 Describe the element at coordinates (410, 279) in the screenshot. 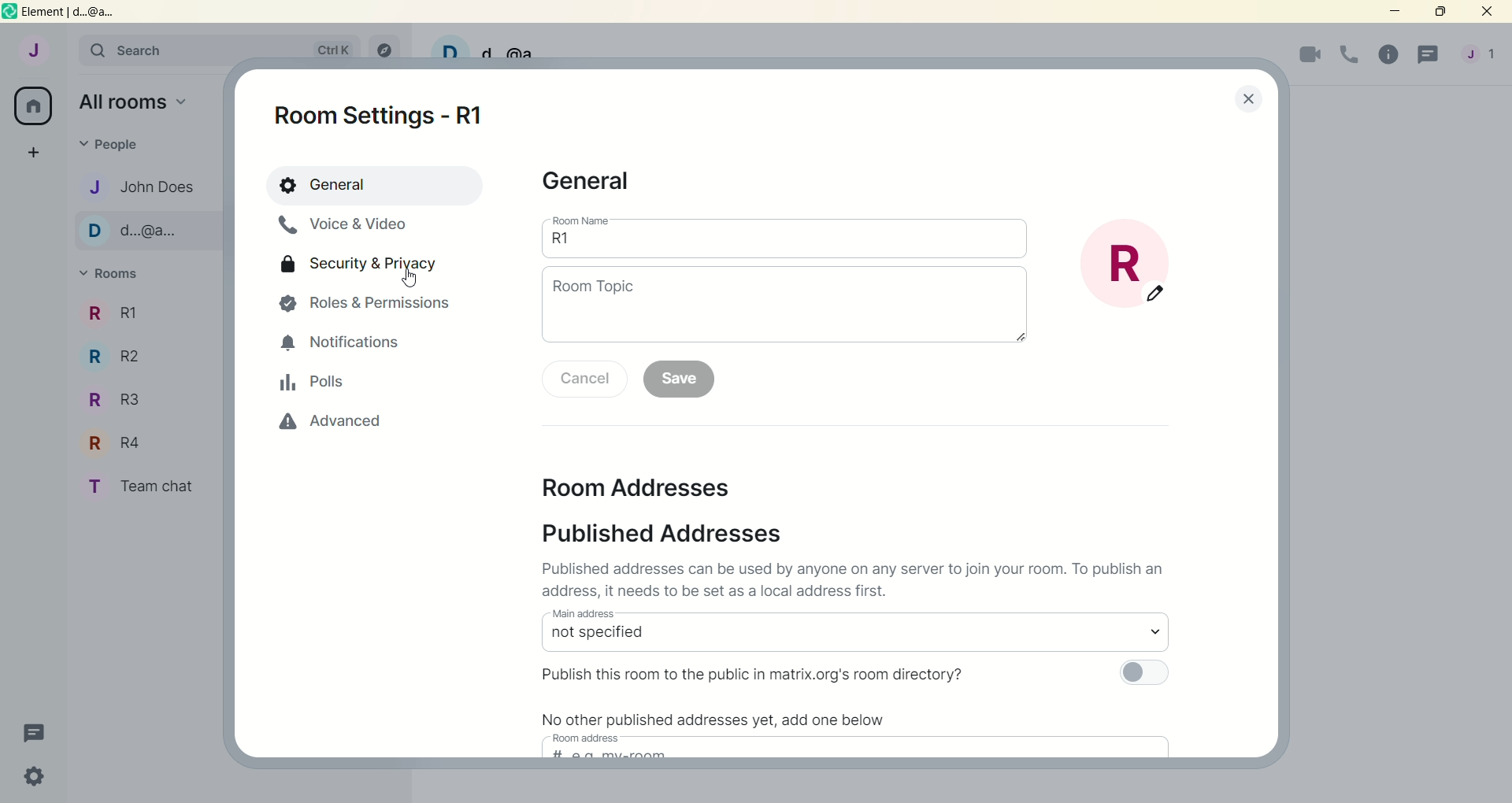

I see `Cursor` at that location.